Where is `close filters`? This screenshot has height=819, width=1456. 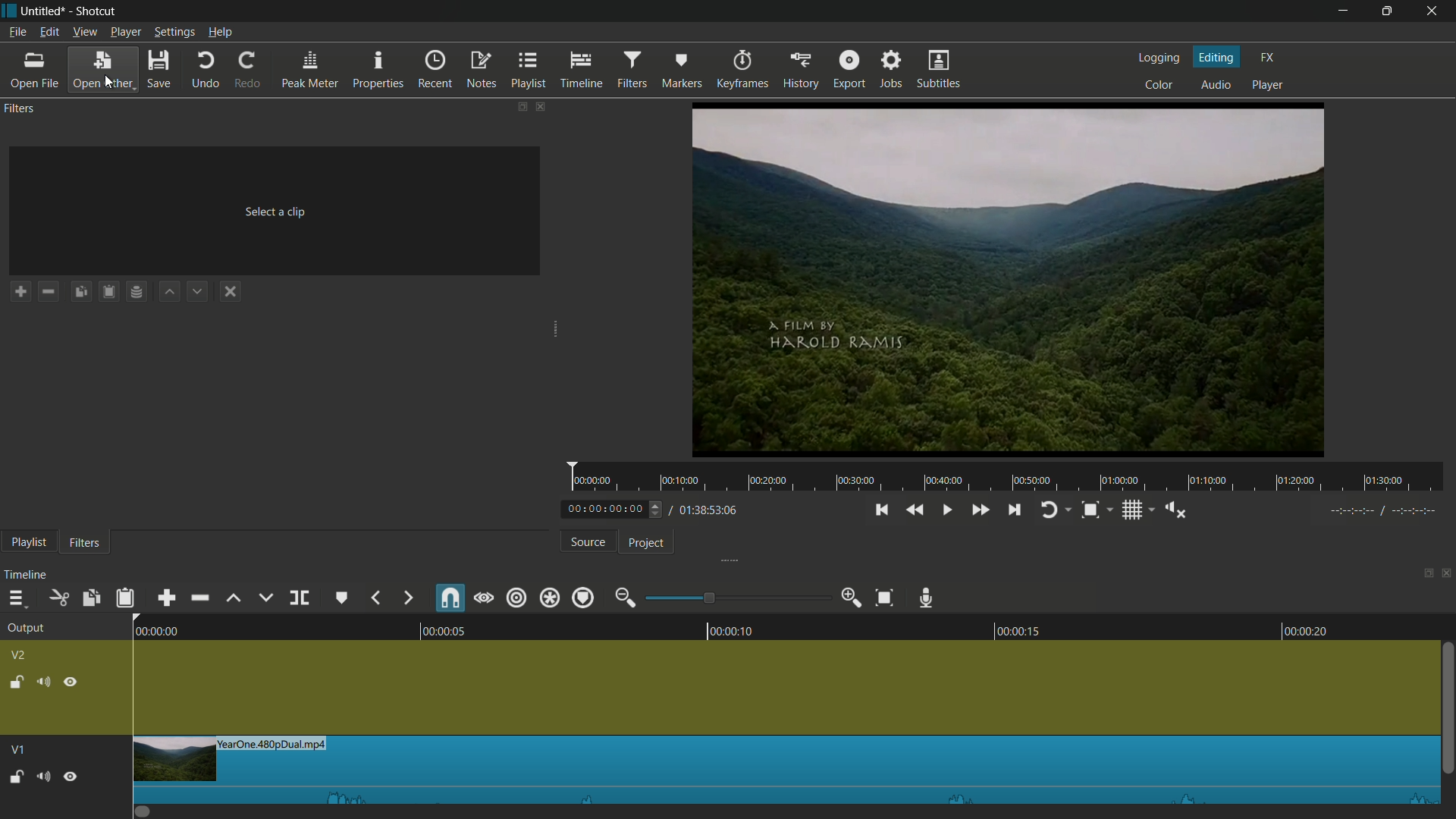
close filters is located at coordinates (543, 106).